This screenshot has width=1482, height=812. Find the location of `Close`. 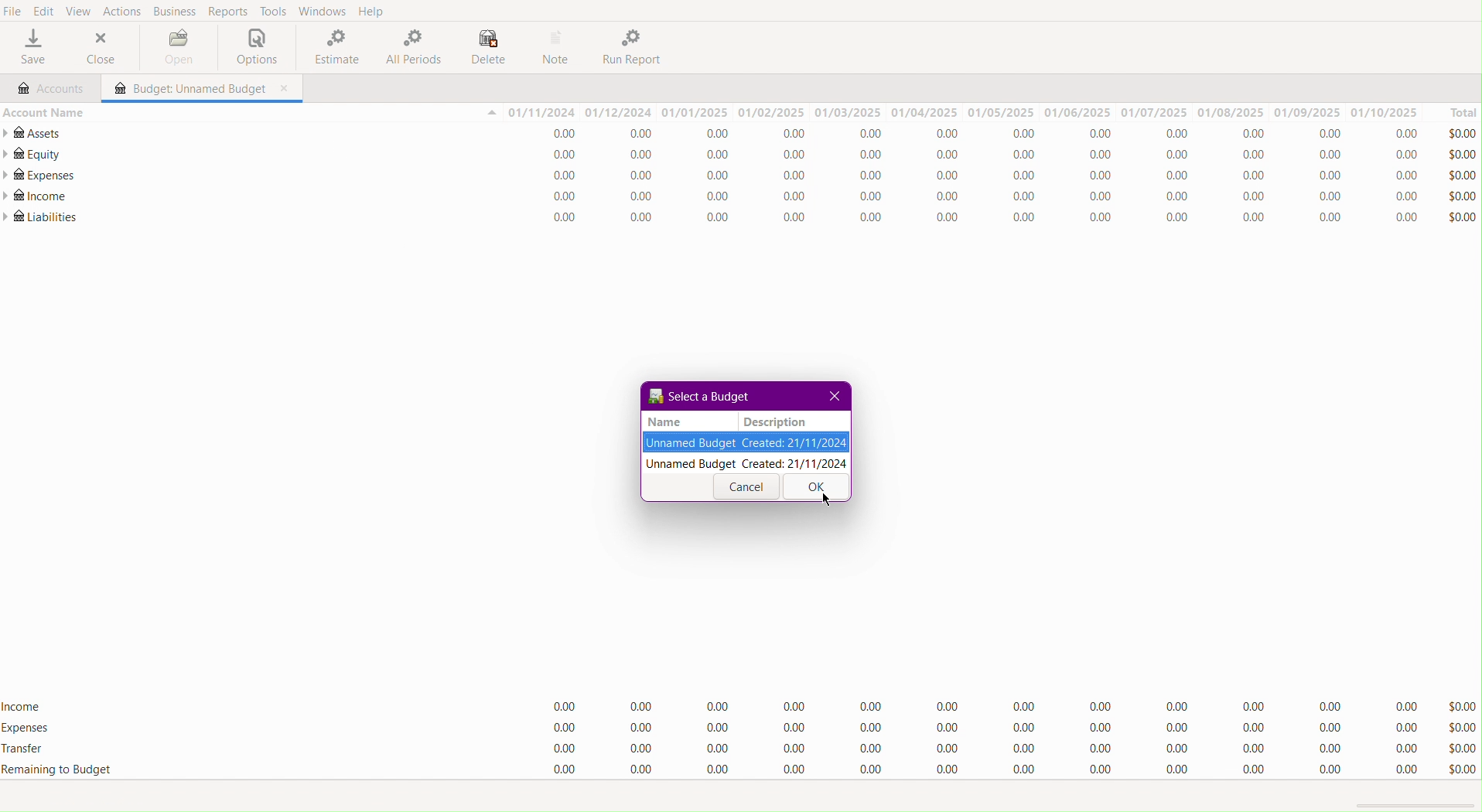

Close is located at coordinates (102, 49).